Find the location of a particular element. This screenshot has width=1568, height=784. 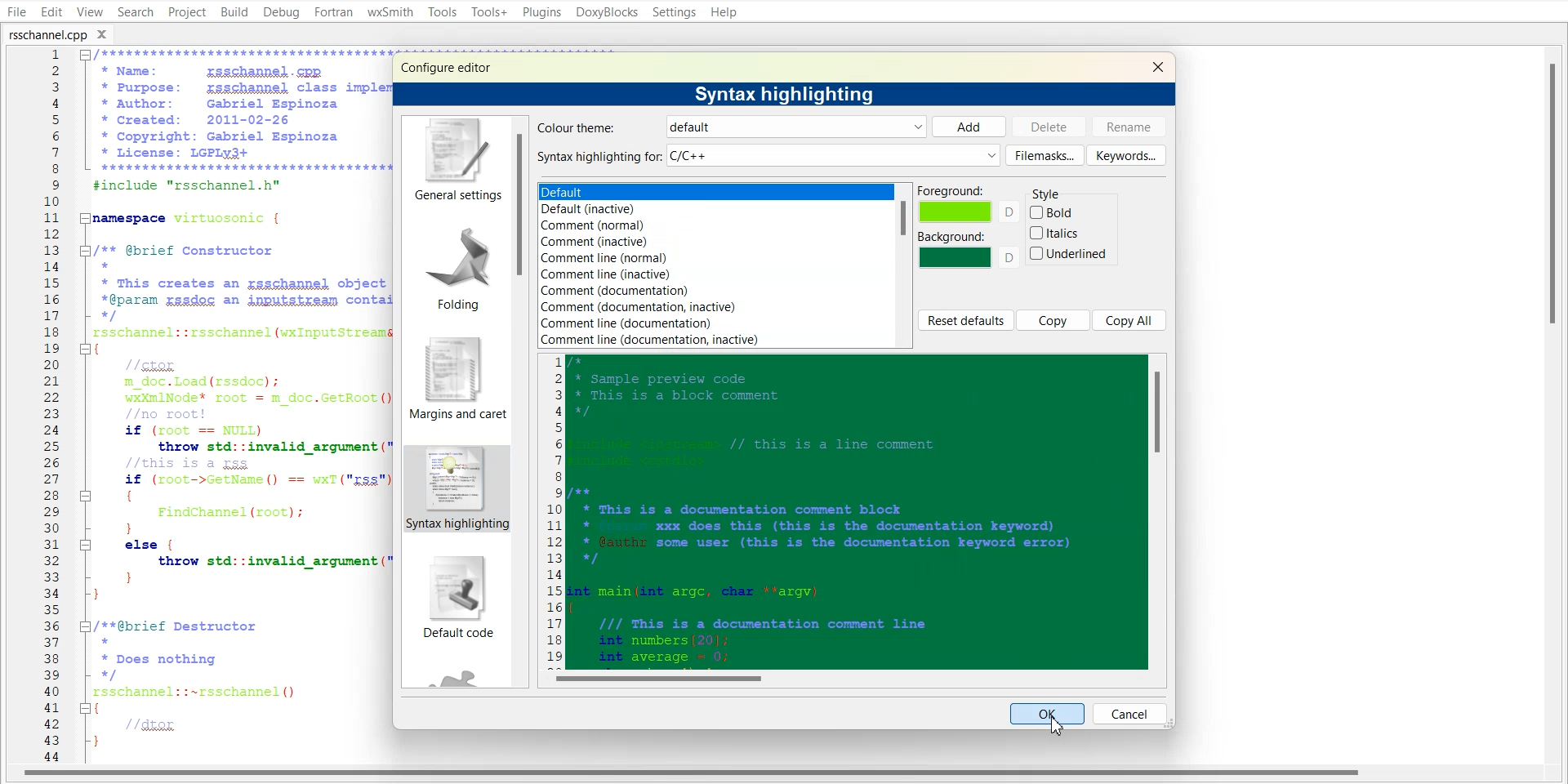

Cursor is located at coordinates (1061, 723).